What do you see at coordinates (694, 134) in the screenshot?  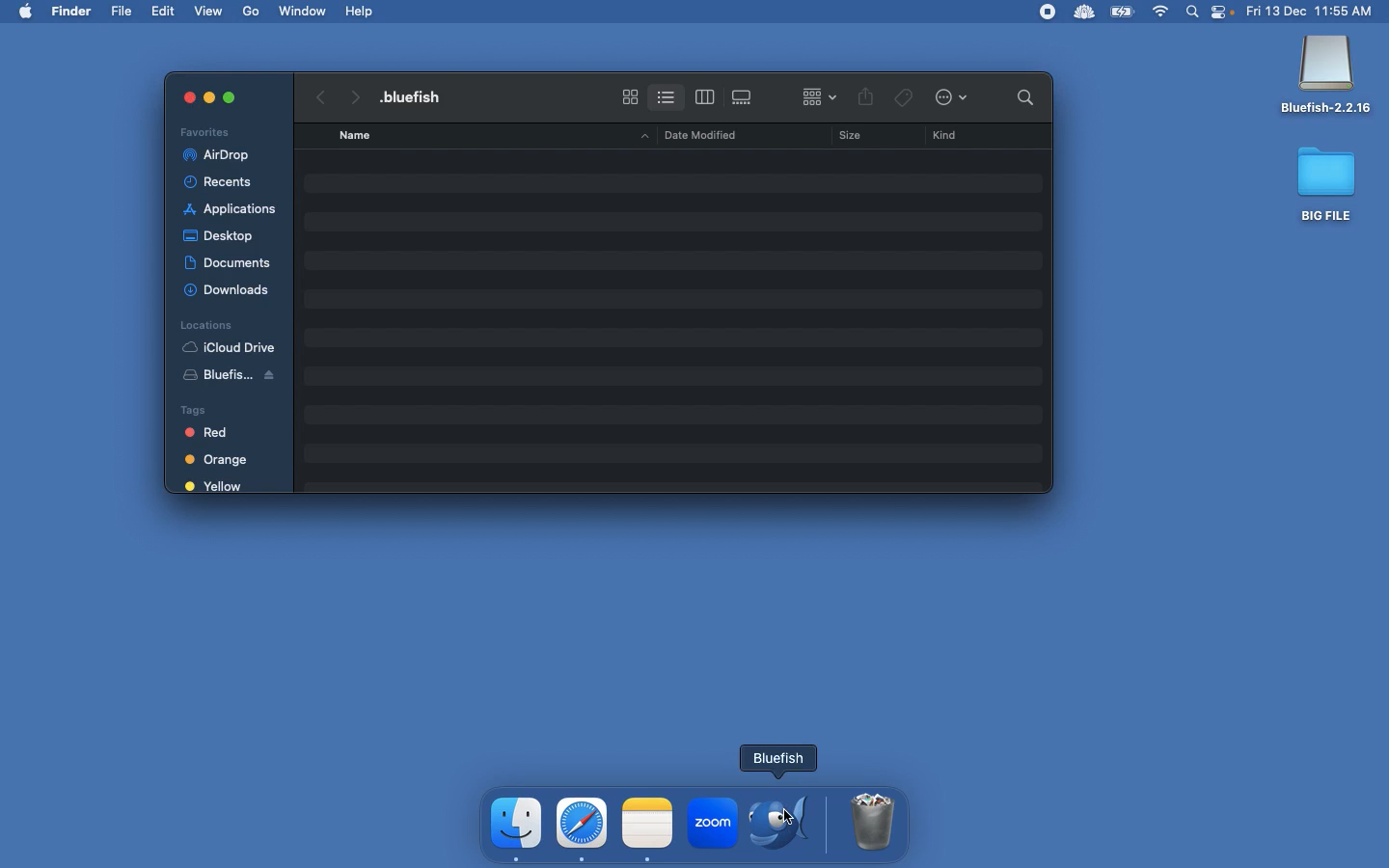 I see `date modified` at bounding box center [694, 134].